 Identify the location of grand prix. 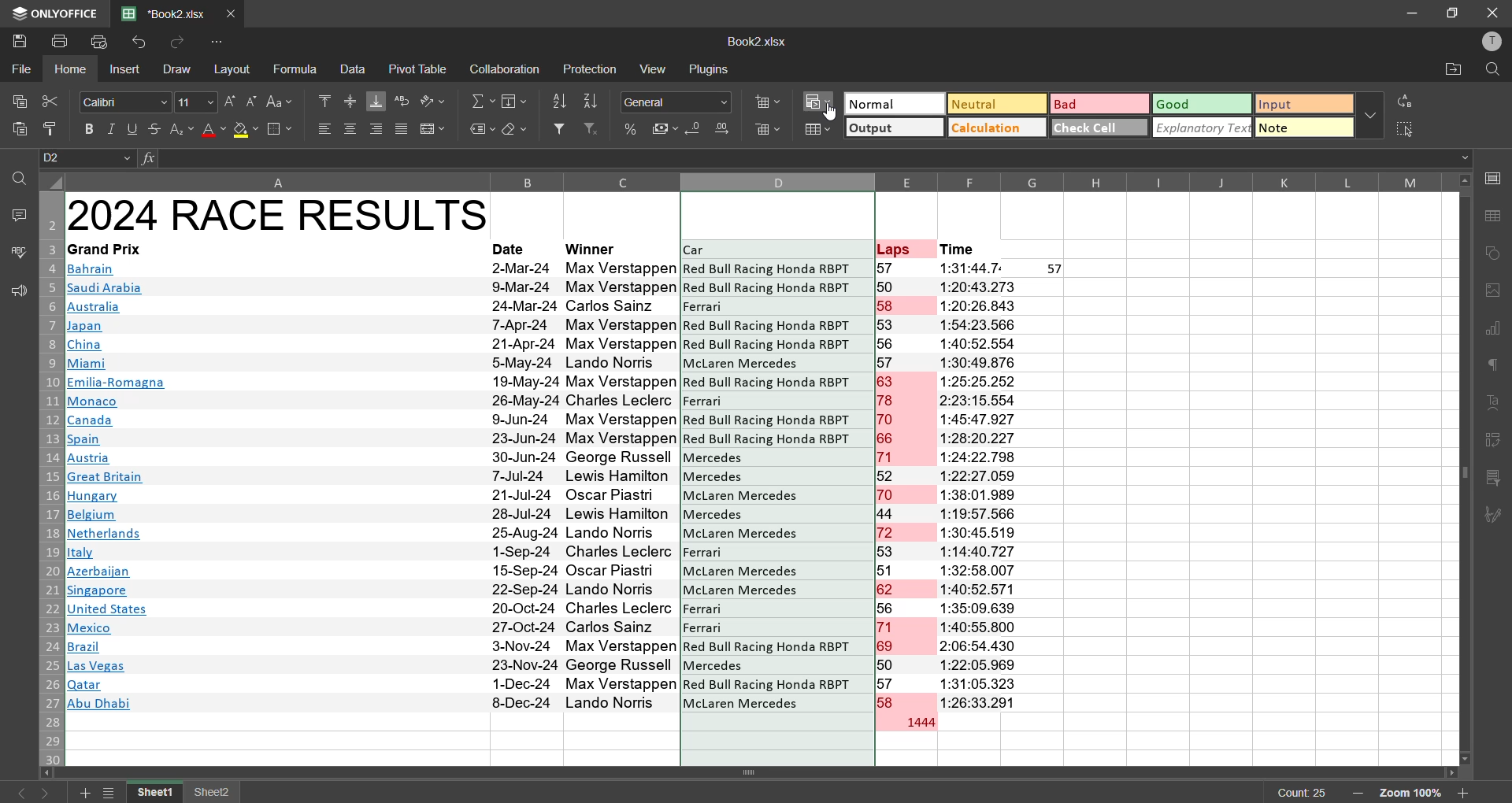
(104, 249).